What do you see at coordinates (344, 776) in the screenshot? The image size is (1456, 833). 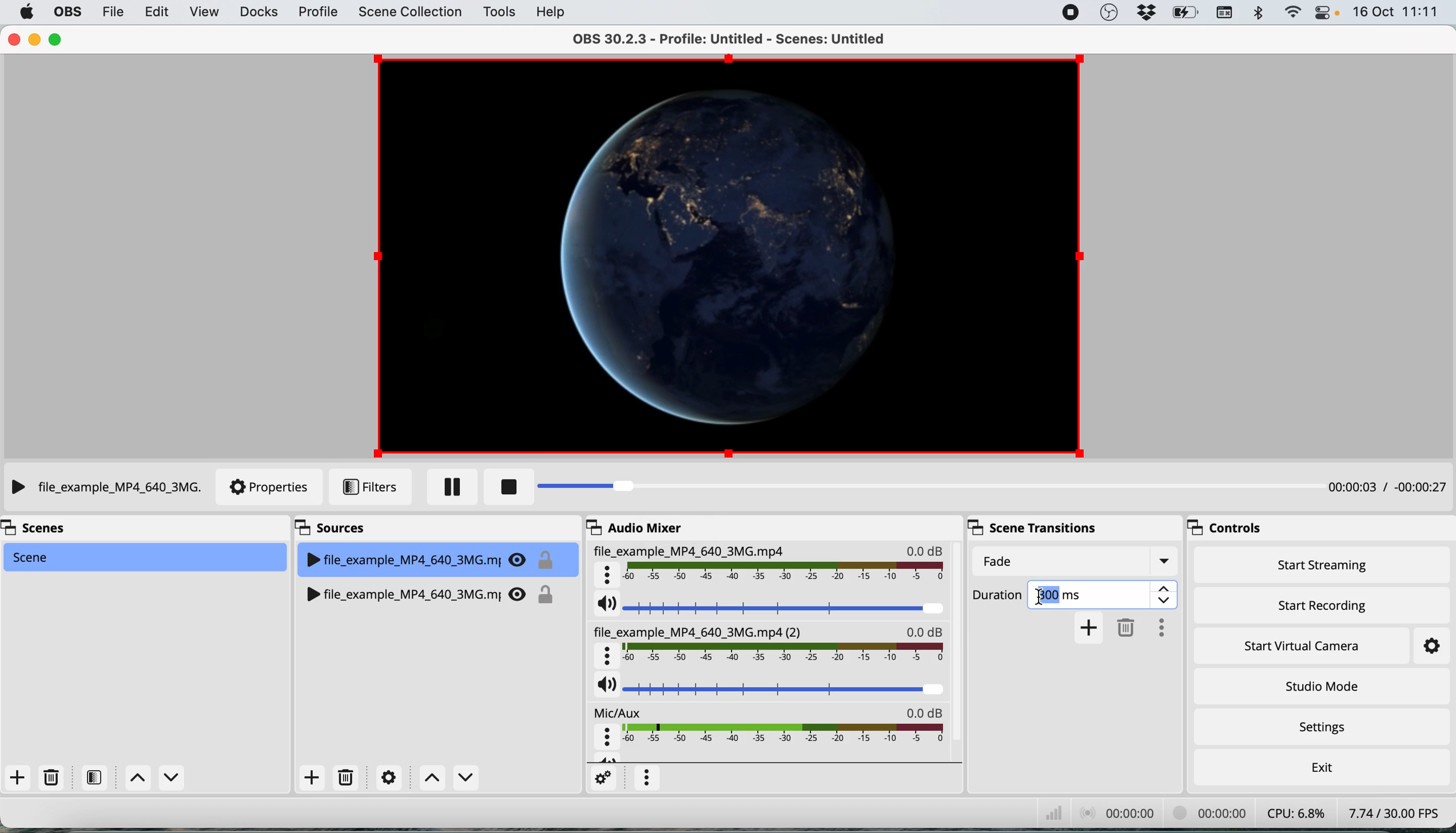 I see `delete source` at bounding box center [344, 776].